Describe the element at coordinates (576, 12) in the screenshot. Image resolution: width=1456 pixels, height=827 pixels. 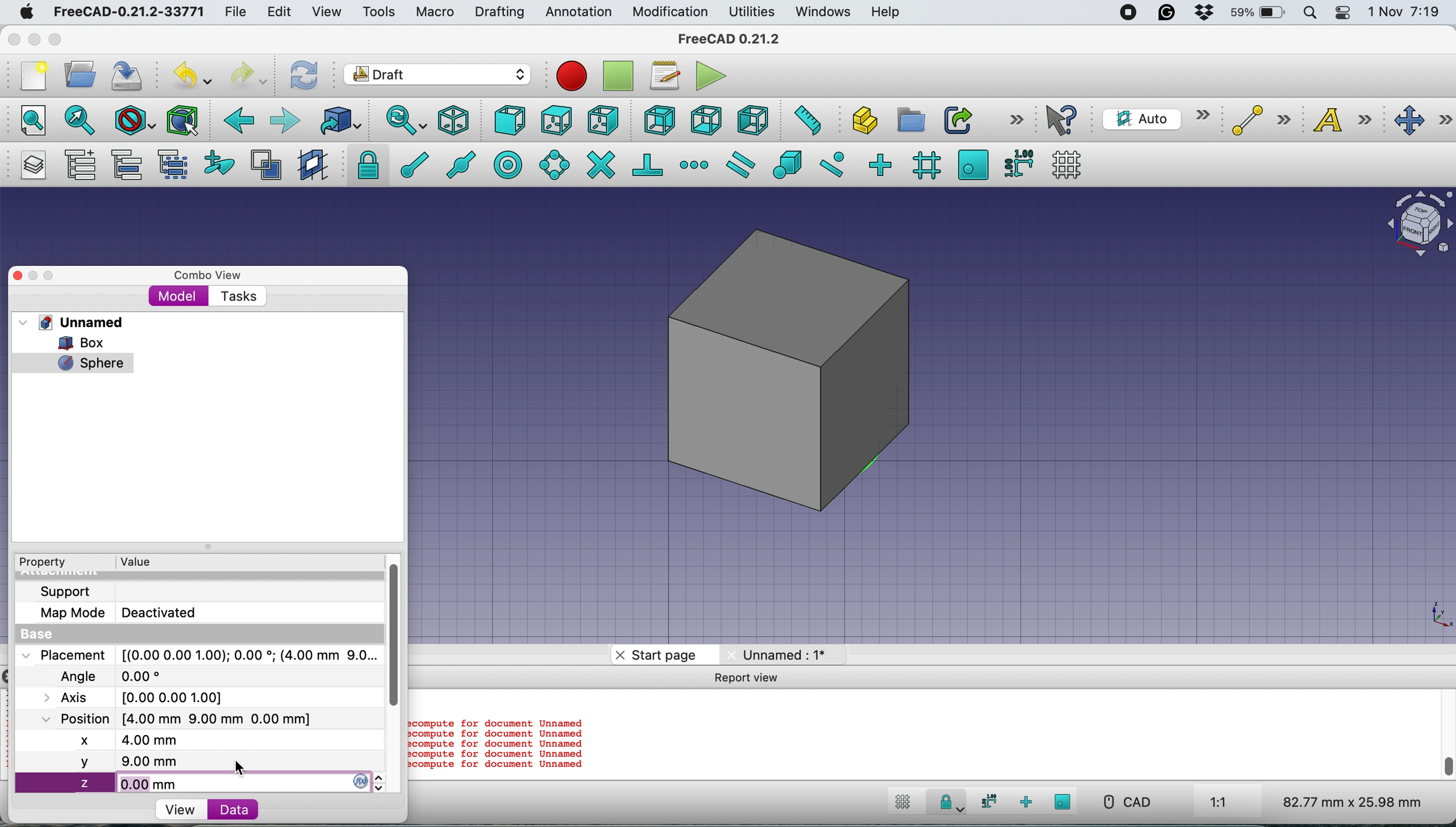
I see `annotation` at that location.